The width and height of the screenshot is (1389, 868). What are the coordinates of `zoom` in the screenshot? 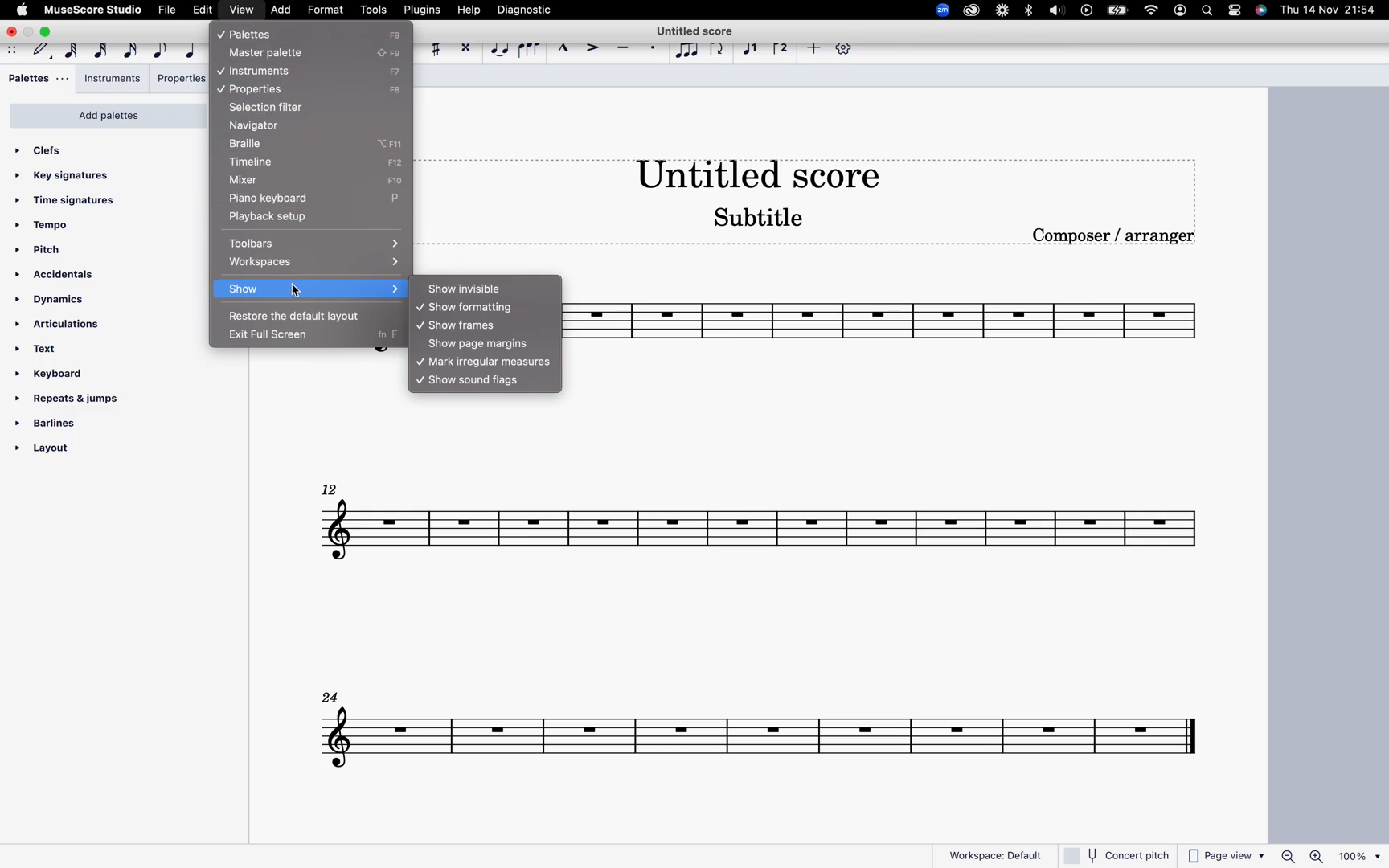 It's located at (939, 13).